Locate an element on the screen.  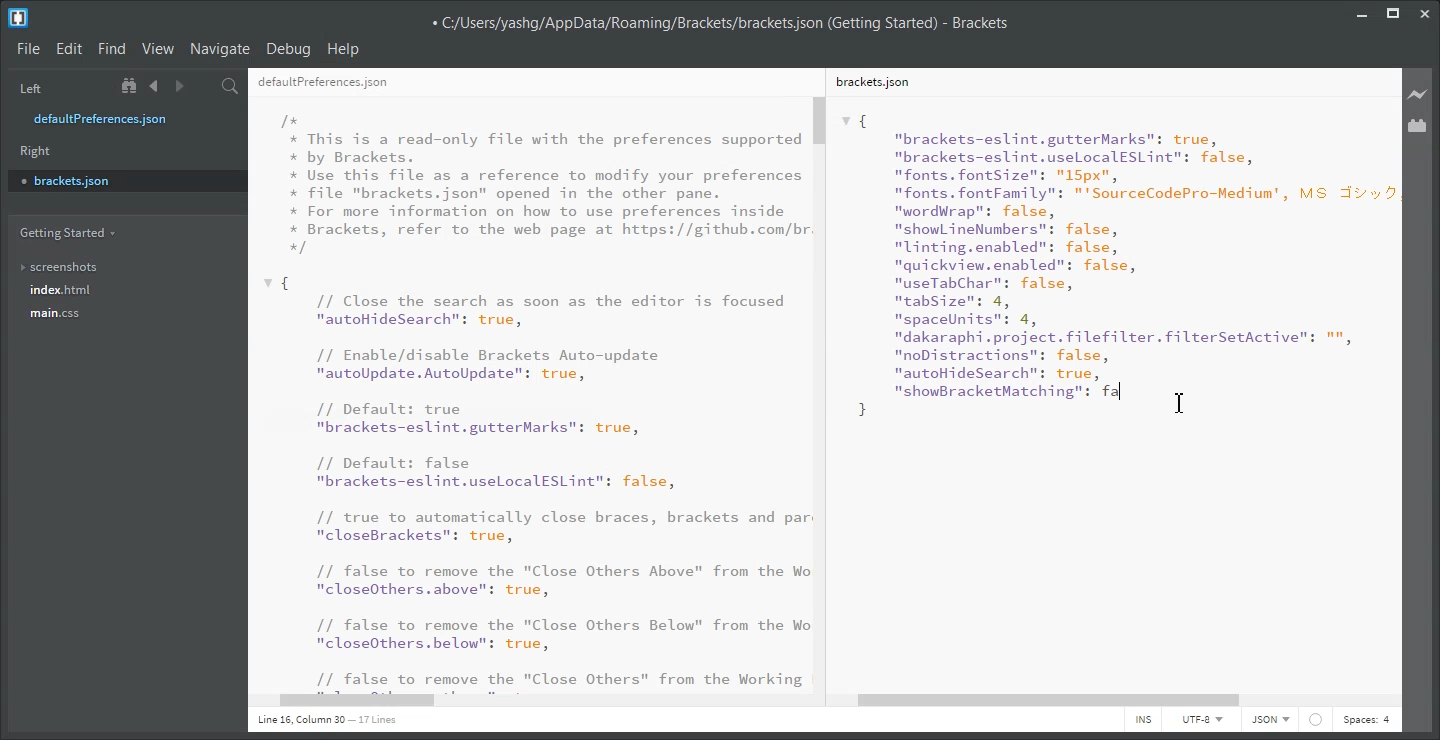
Edit is located at coordinates (69, 49).